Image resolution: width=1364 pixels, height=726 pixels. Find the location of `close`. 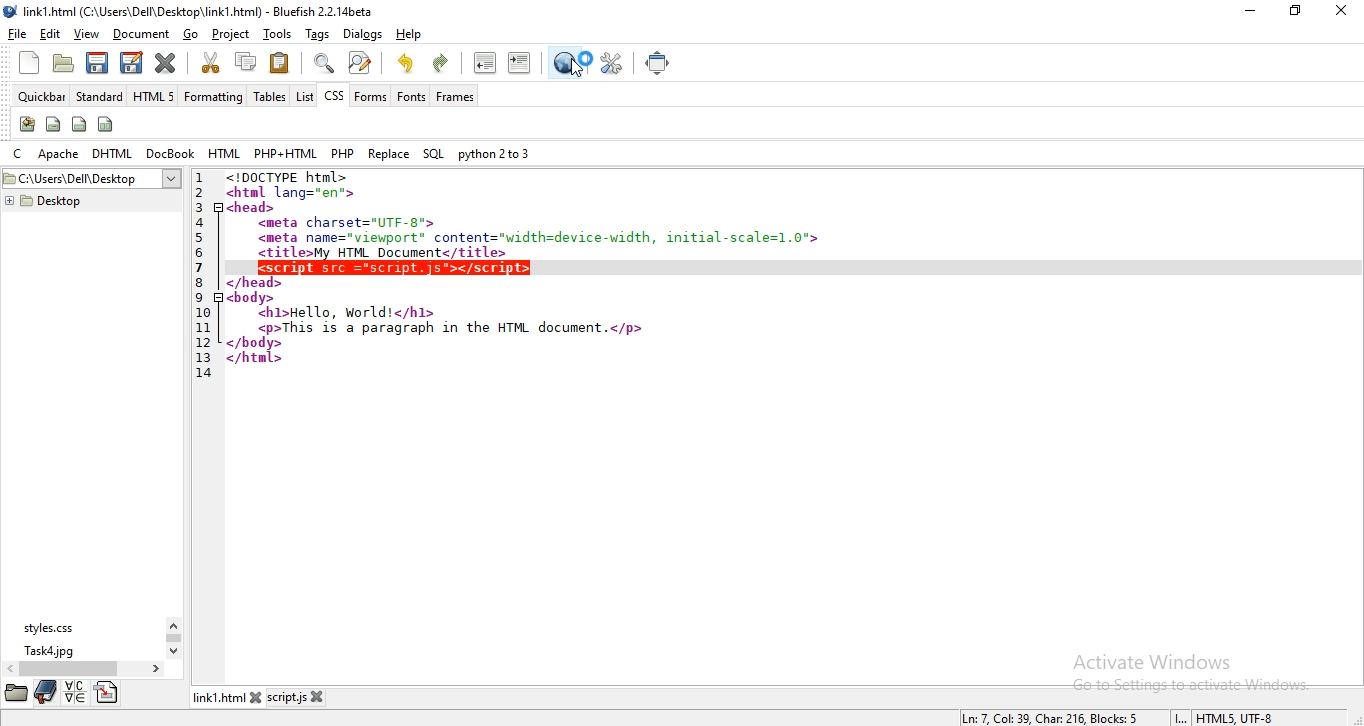

close is located at coordinates (324, 697).